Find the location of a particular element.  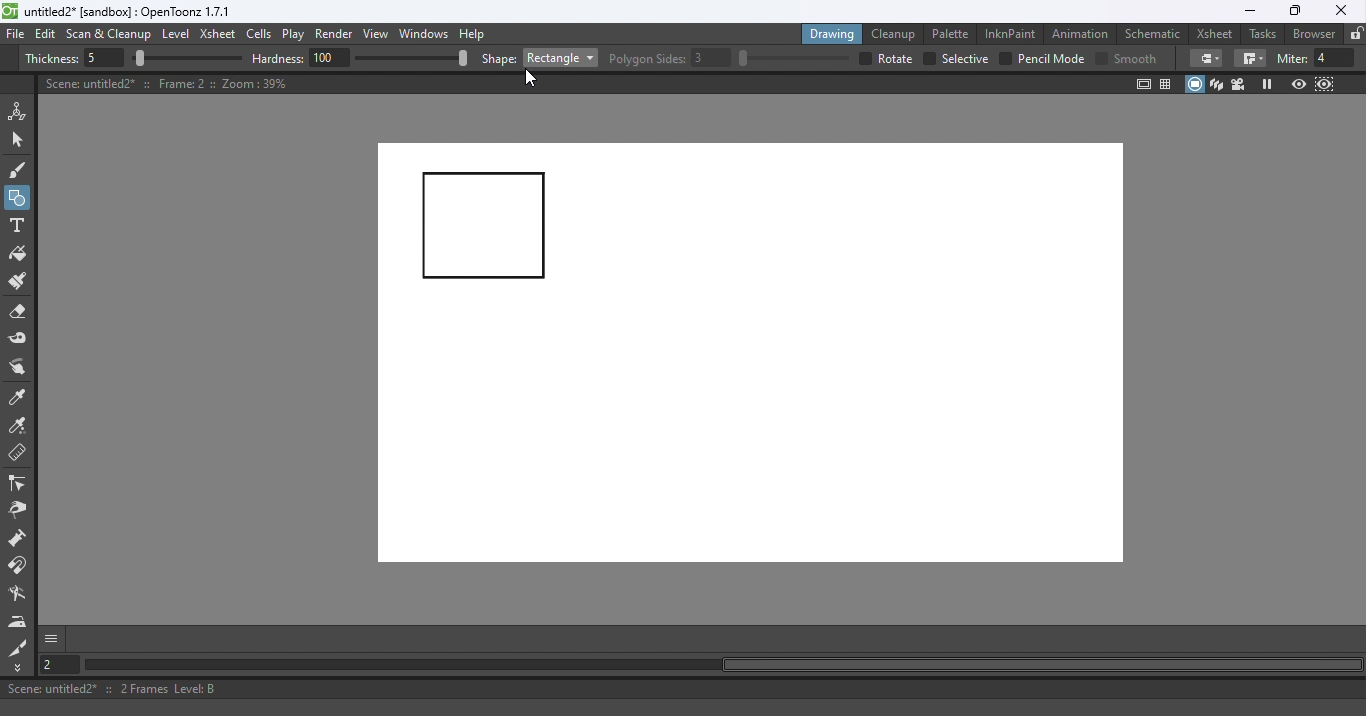

Safe area is located at coordinates (1142, 84).